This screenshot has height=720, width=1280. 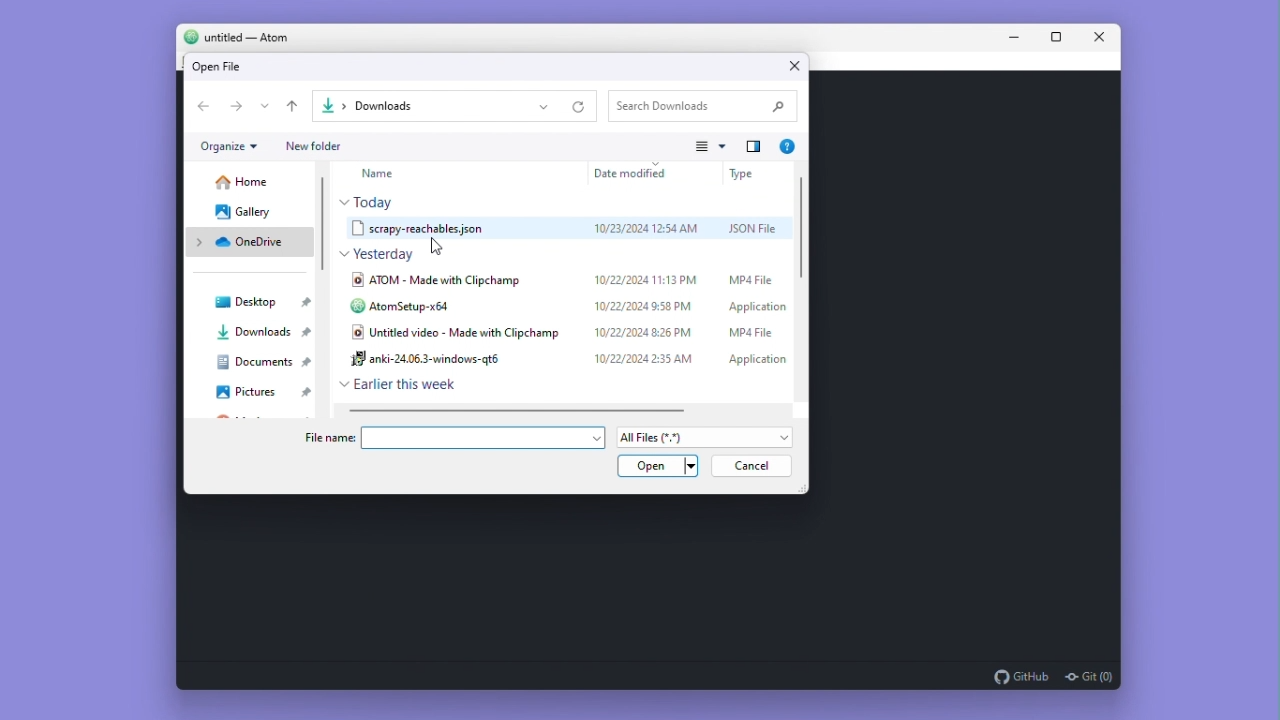 What do you see at coordinates (791, 146) in the screenshot?
I see `Show more info` at bounding box center [791, 146].